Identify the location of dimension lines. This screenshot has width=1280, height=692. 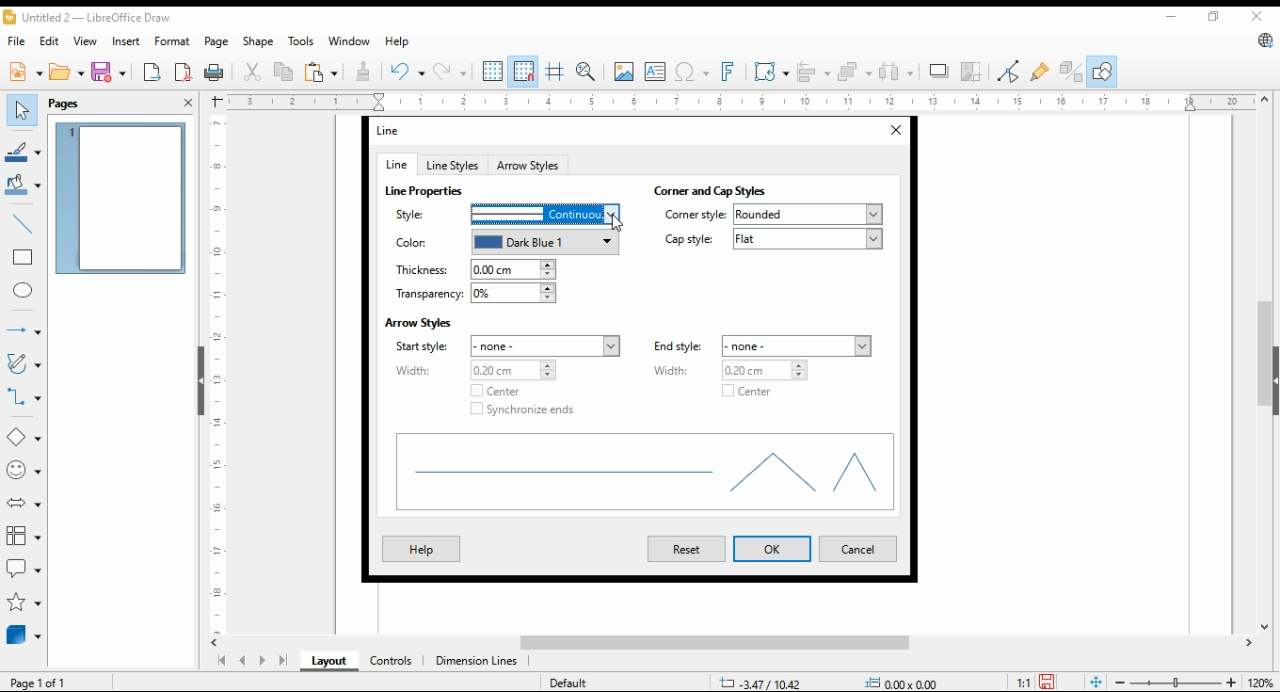
(477, 662).